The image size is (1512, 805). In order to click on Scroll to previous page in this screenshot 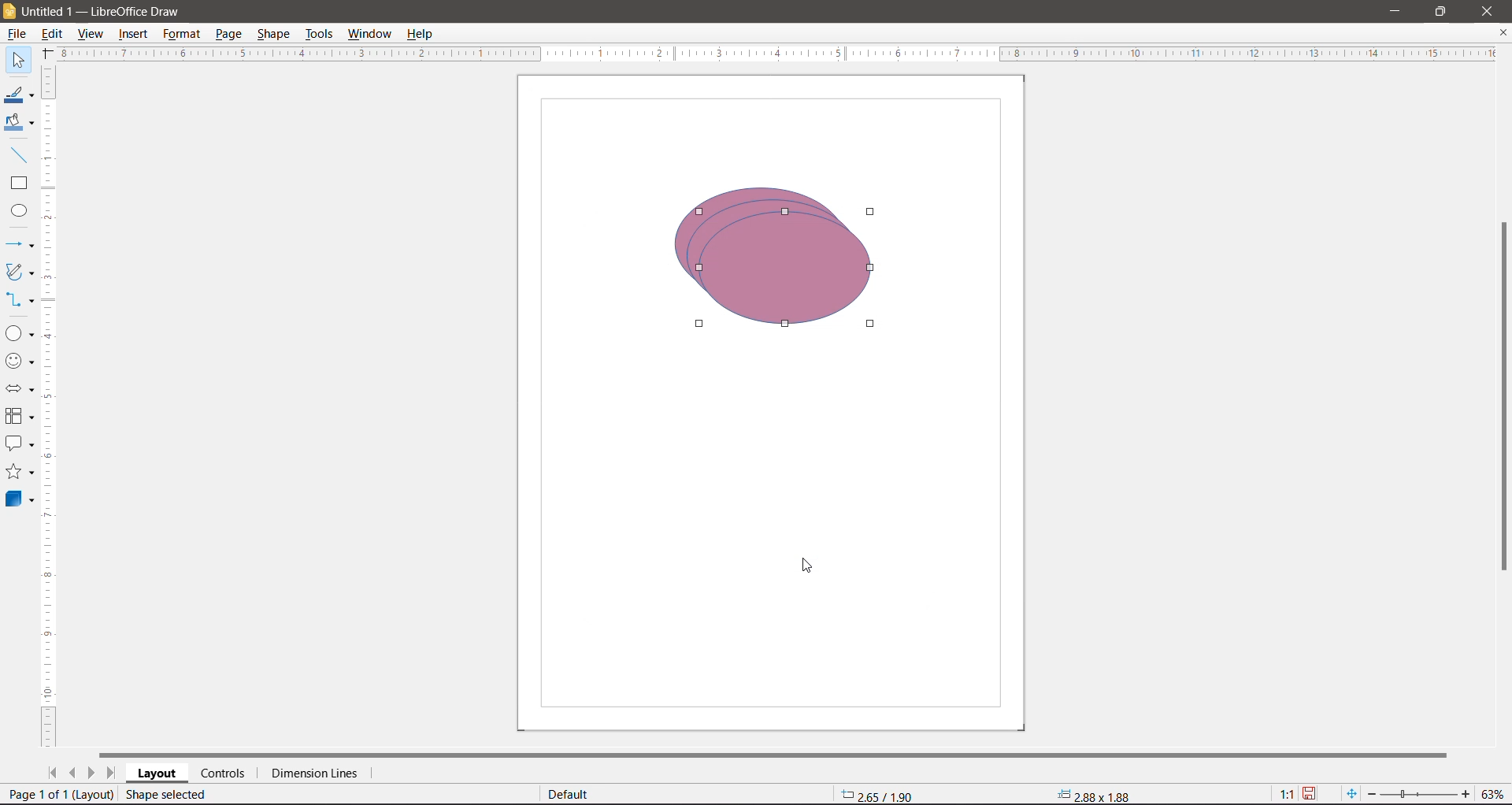, I will do `click(73, 773)`.